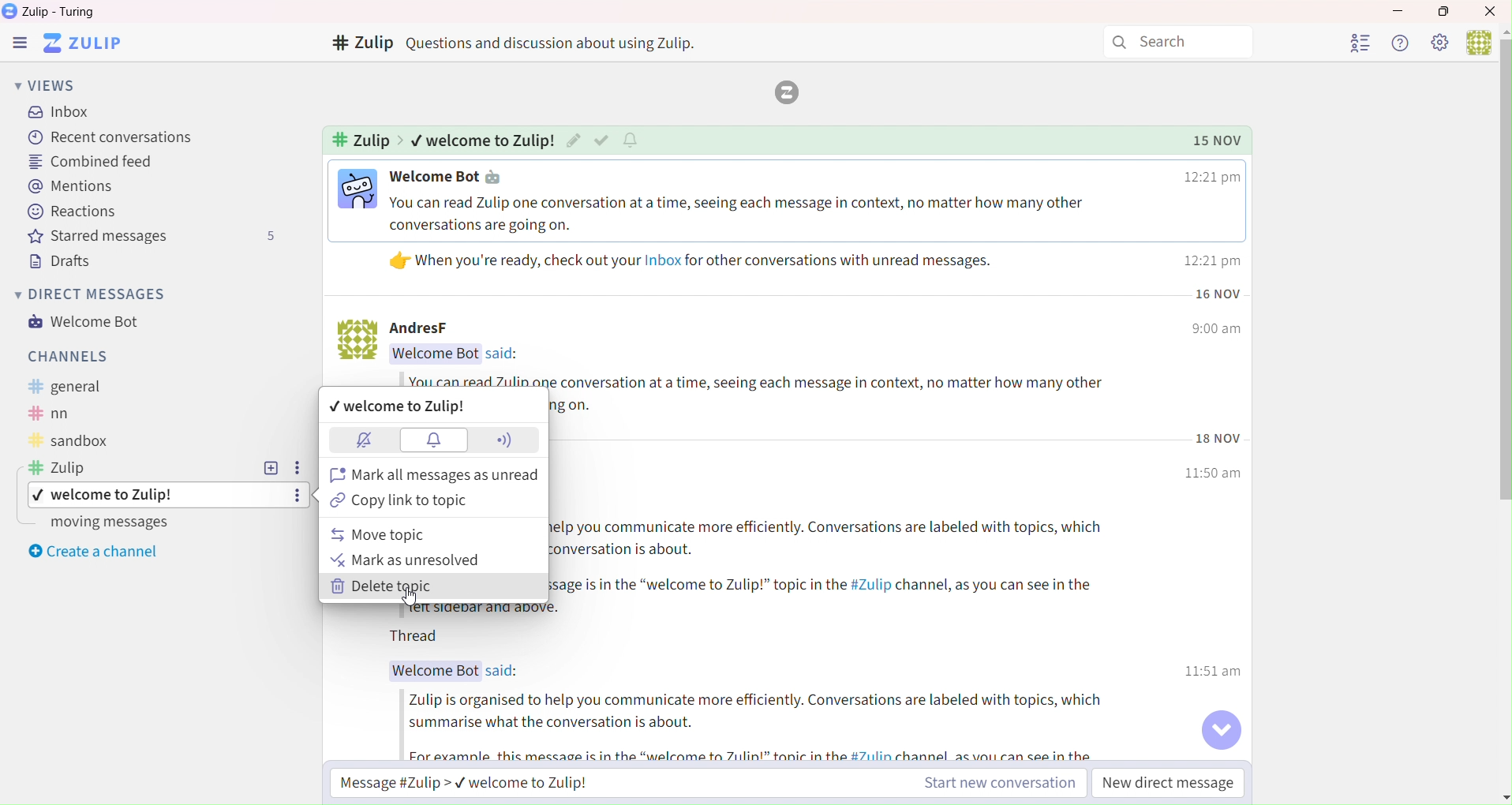 Image resolution: width=1512 pixels, height=805 pixels. I want to click on Delete topic, so click(381, 586).